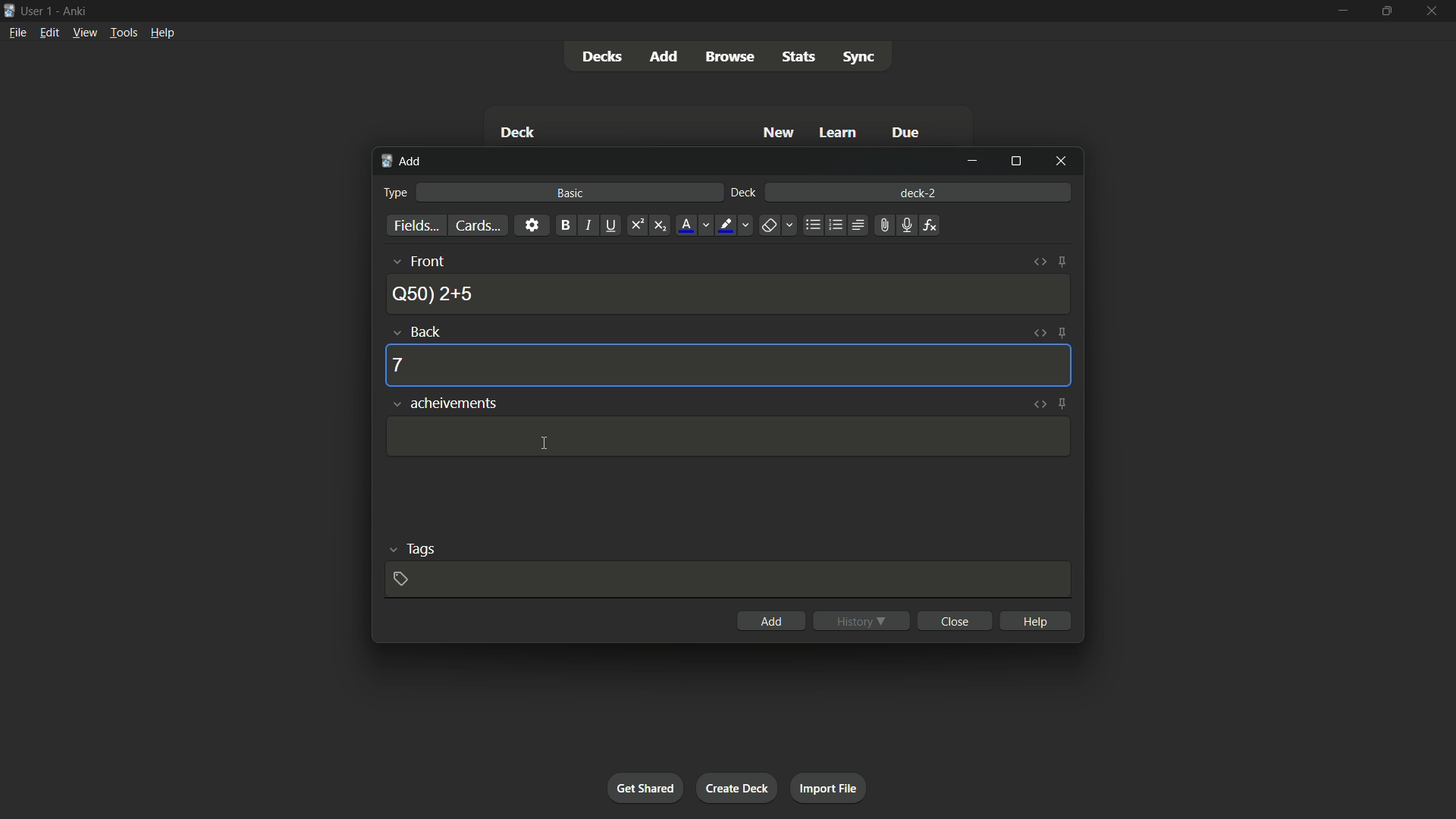 The image size is (1456, 819). What do you see at coordinates (416, 261) in the screenshot?
I see `front` at bounding box center [416, 261].